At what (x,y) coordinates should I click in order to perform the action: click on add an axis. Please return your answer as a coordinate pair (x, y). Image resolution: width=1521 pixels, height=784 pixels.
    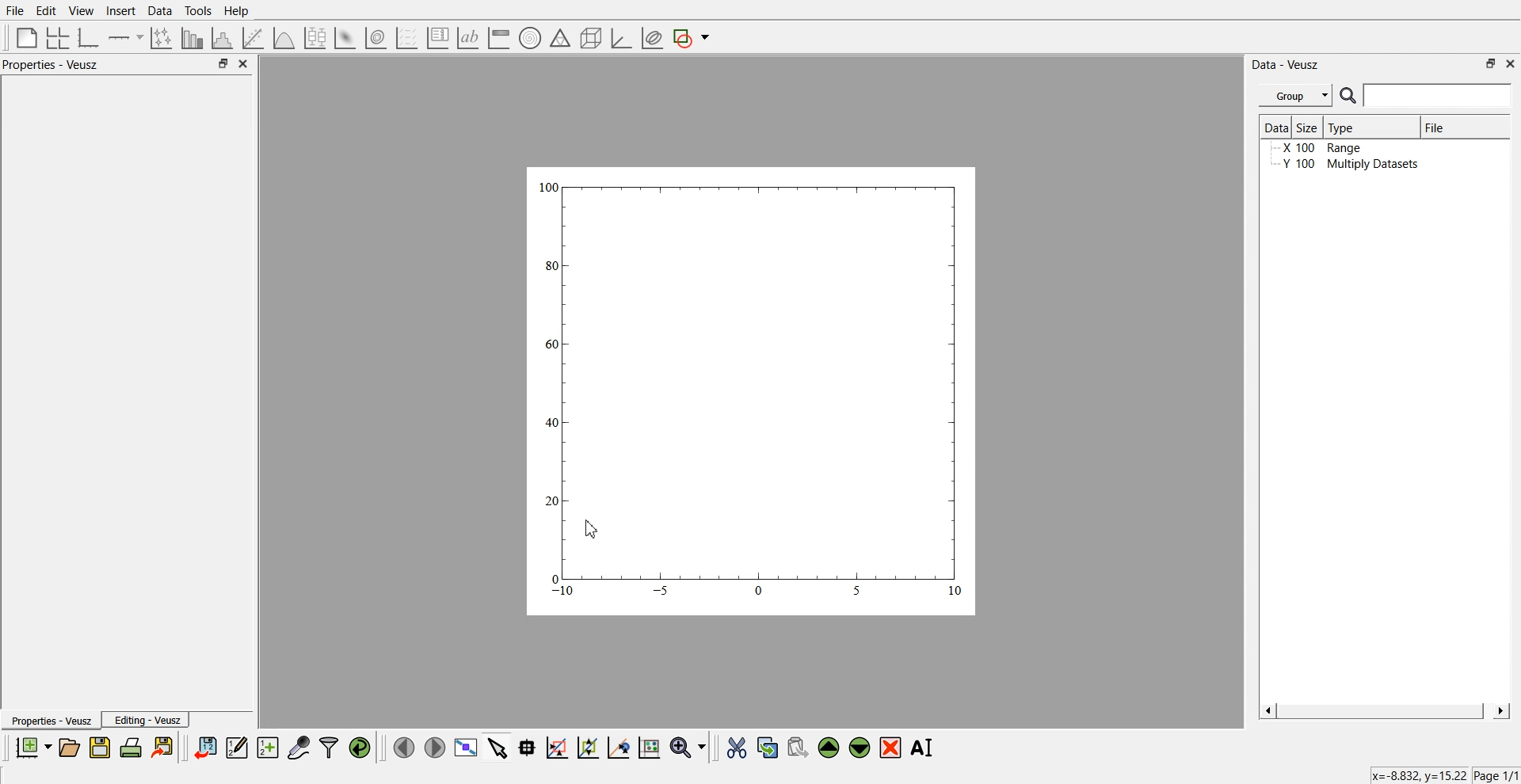
    Looking at the image, I should click on (127, 37).